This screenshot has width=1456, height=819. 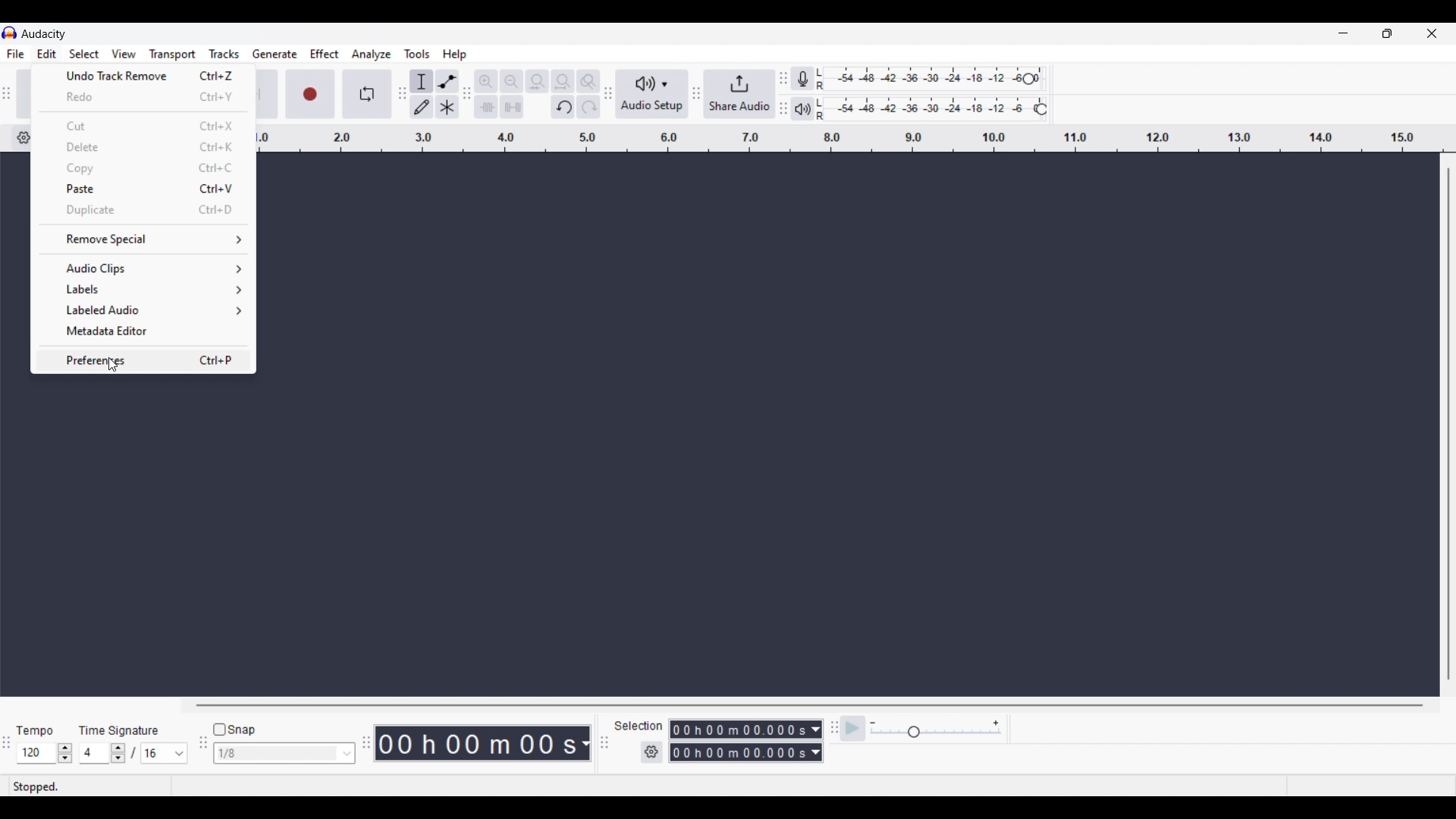 What do you see at coordinates (447, 108) in the screenshot?
I see `Multitool` at bounding box center [447, 108].